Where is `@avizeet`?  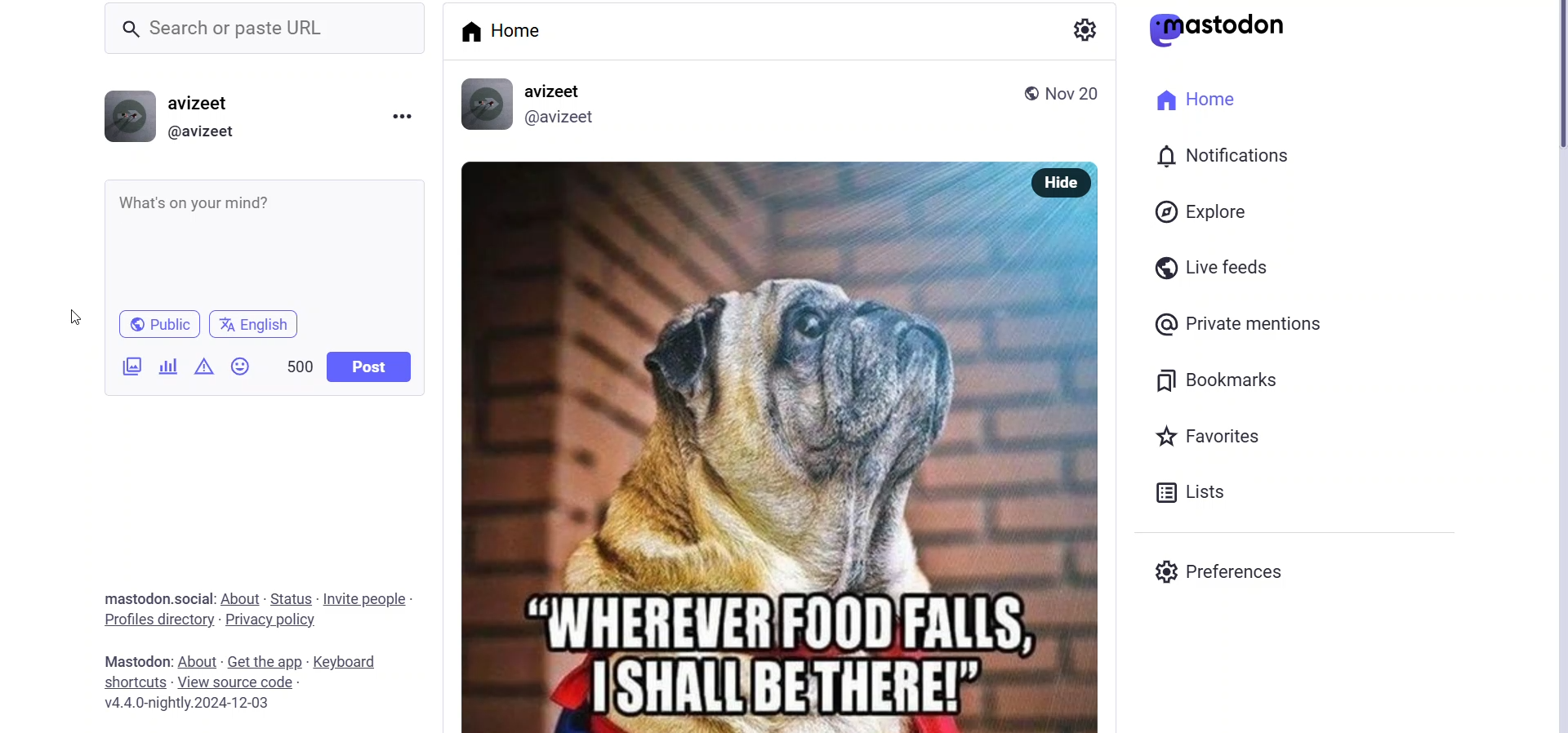
@avizeet is located at coordinates (565, 118).